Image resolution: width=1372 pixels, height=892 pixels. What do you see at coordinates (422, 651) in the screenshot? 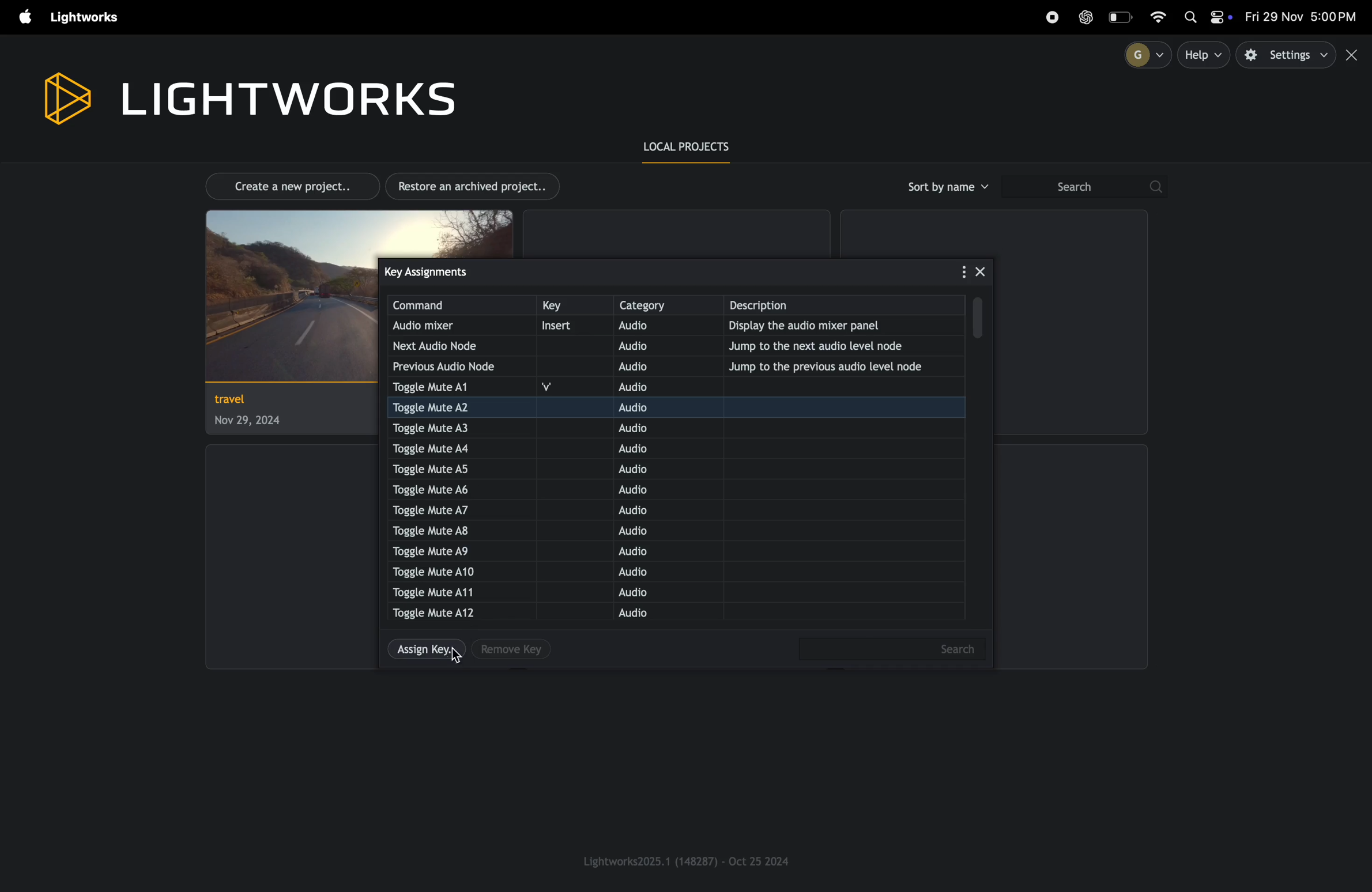
I see `assign key` at bounding box center [422, 651].